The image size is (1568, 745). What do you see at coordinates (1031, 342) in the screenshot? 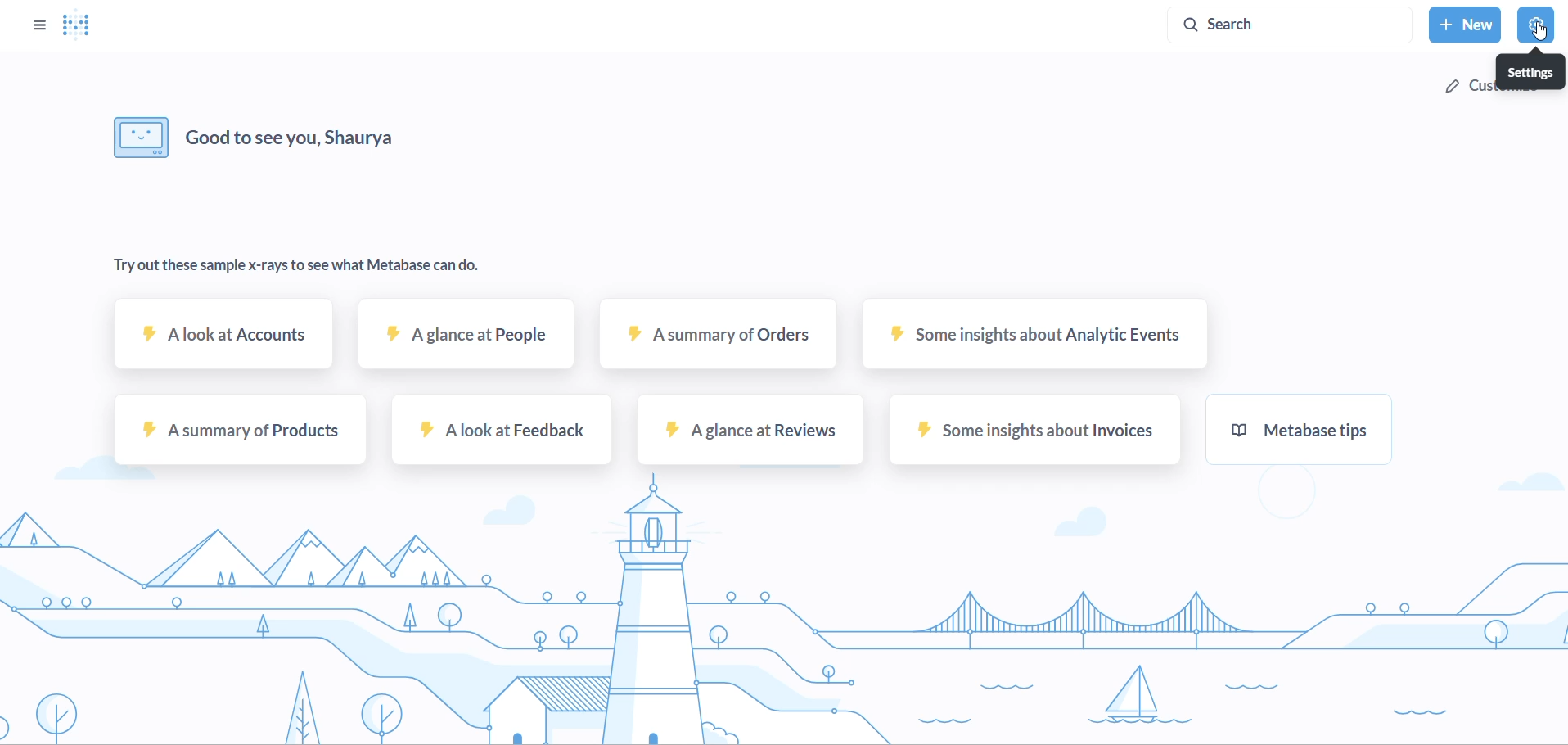
I see `some insights about analytic events` at bounding box center [1031, 342].